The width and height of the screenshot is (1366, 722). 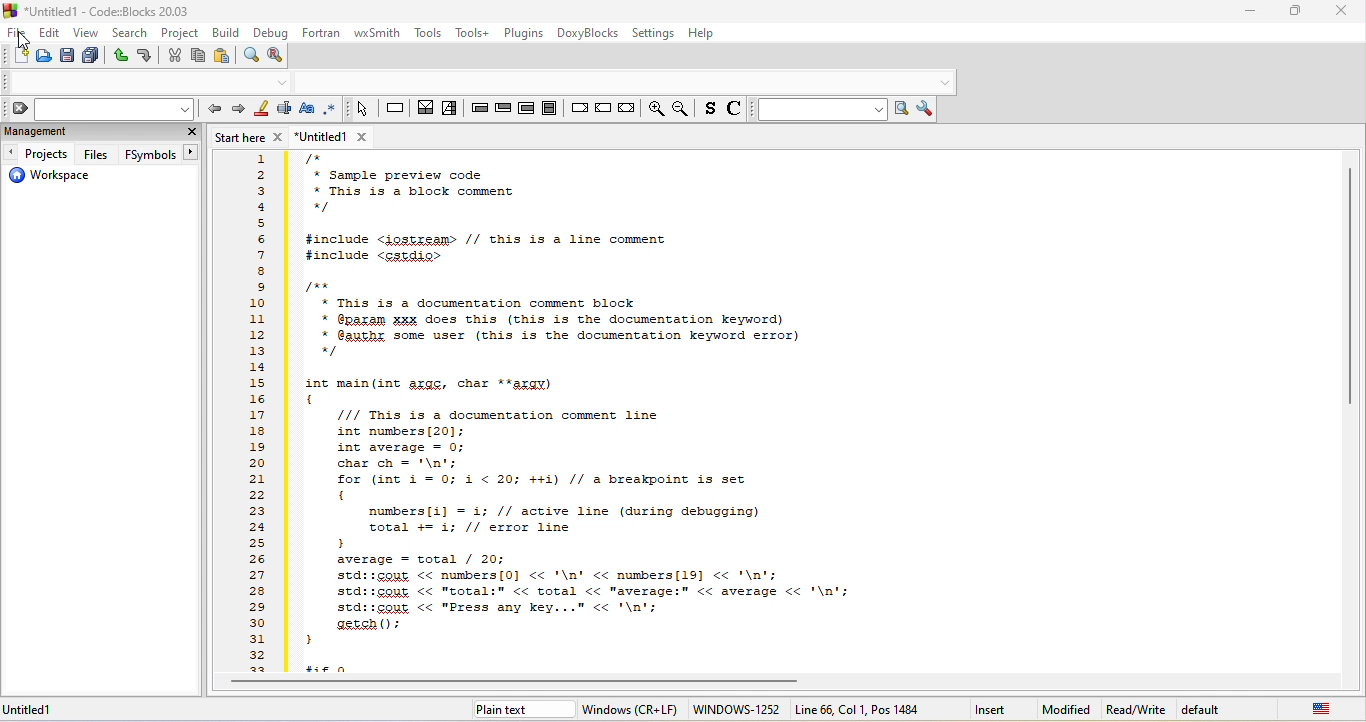 What do you see at coordinates (213, 110) in the screenshot?
I see `prev` at bounding box center [213, 110].